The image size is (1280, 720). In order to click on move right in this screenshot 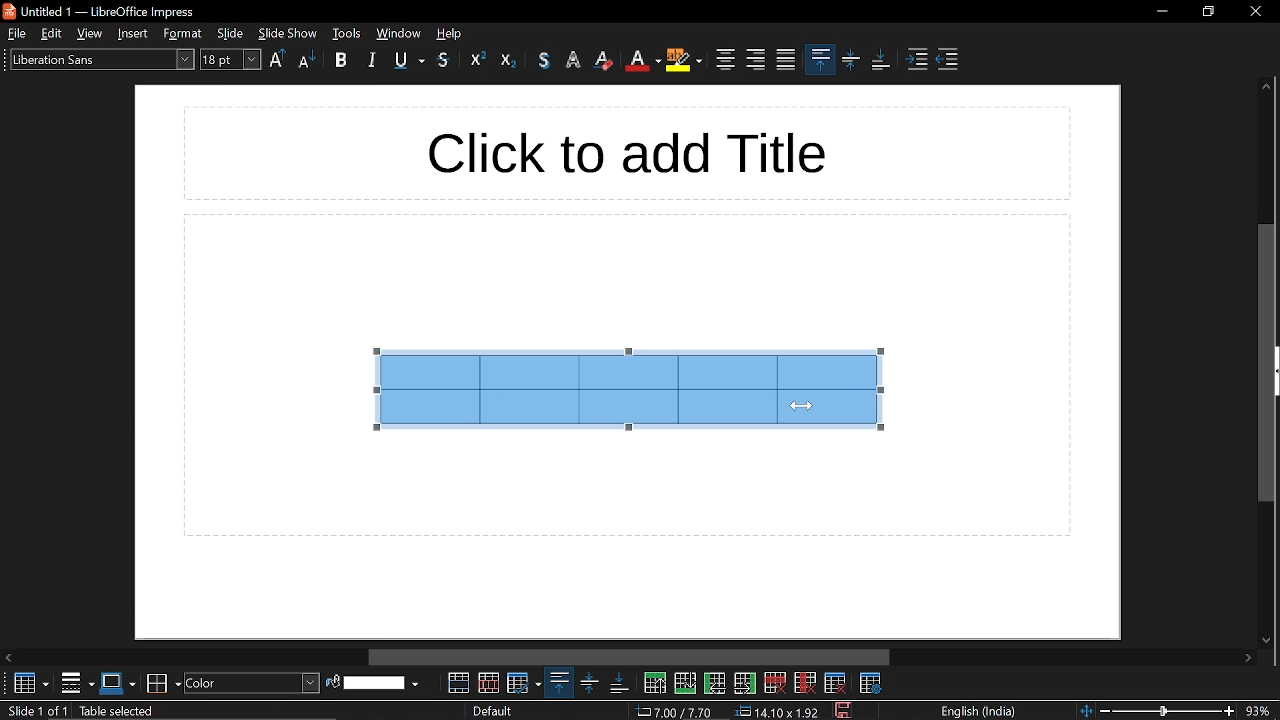, I will do `click(1251, 659)`.